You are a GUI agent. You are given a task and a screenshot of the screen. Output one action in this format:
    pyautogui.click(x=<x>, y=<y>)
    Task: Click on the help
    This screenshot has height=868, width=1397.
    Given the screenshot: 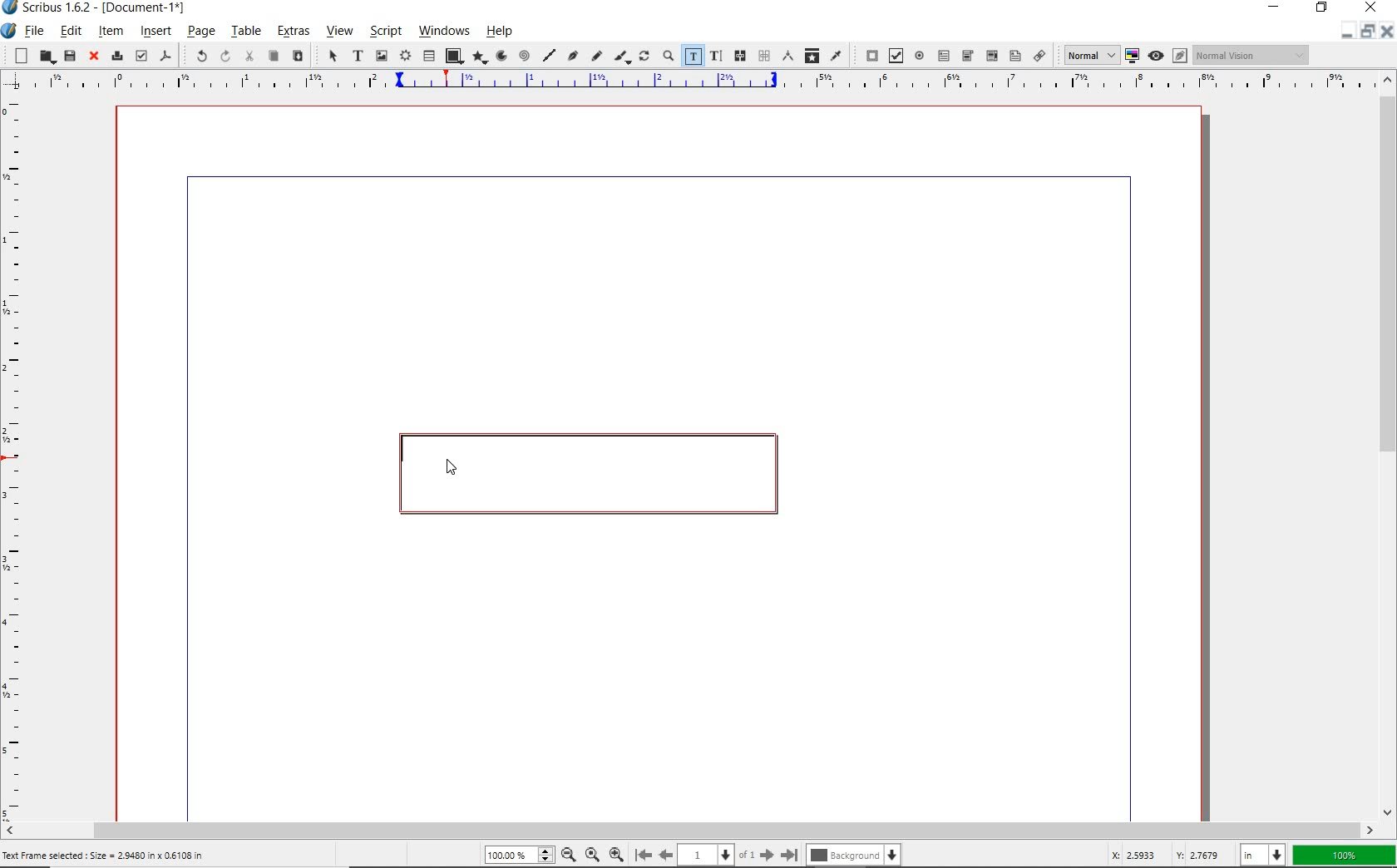 What is the action you would take?
    pyautogui.click(x=503, y=31)
    